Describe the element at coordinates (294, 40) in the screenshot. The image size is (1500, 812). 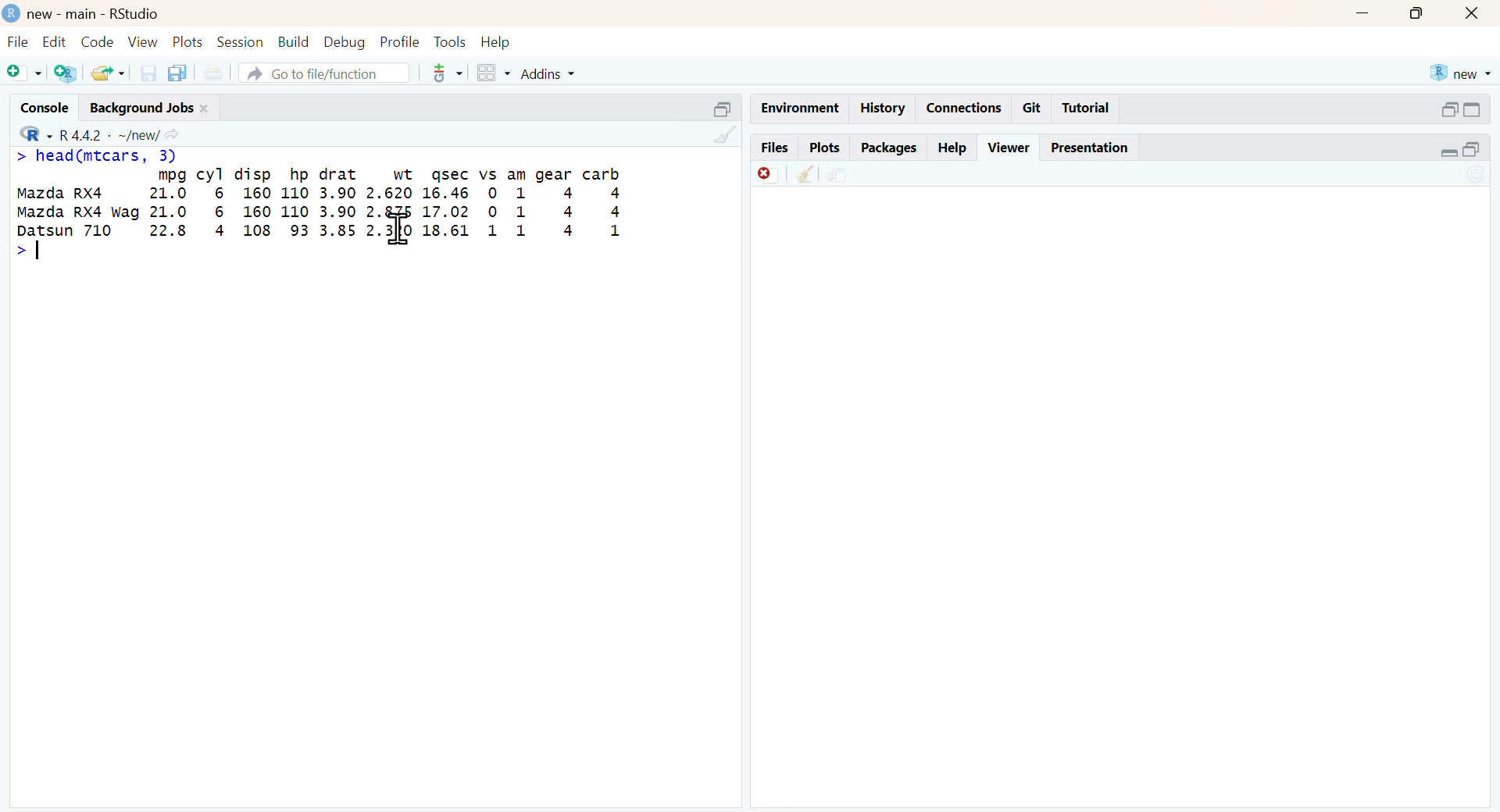
I see `Build` at that location.